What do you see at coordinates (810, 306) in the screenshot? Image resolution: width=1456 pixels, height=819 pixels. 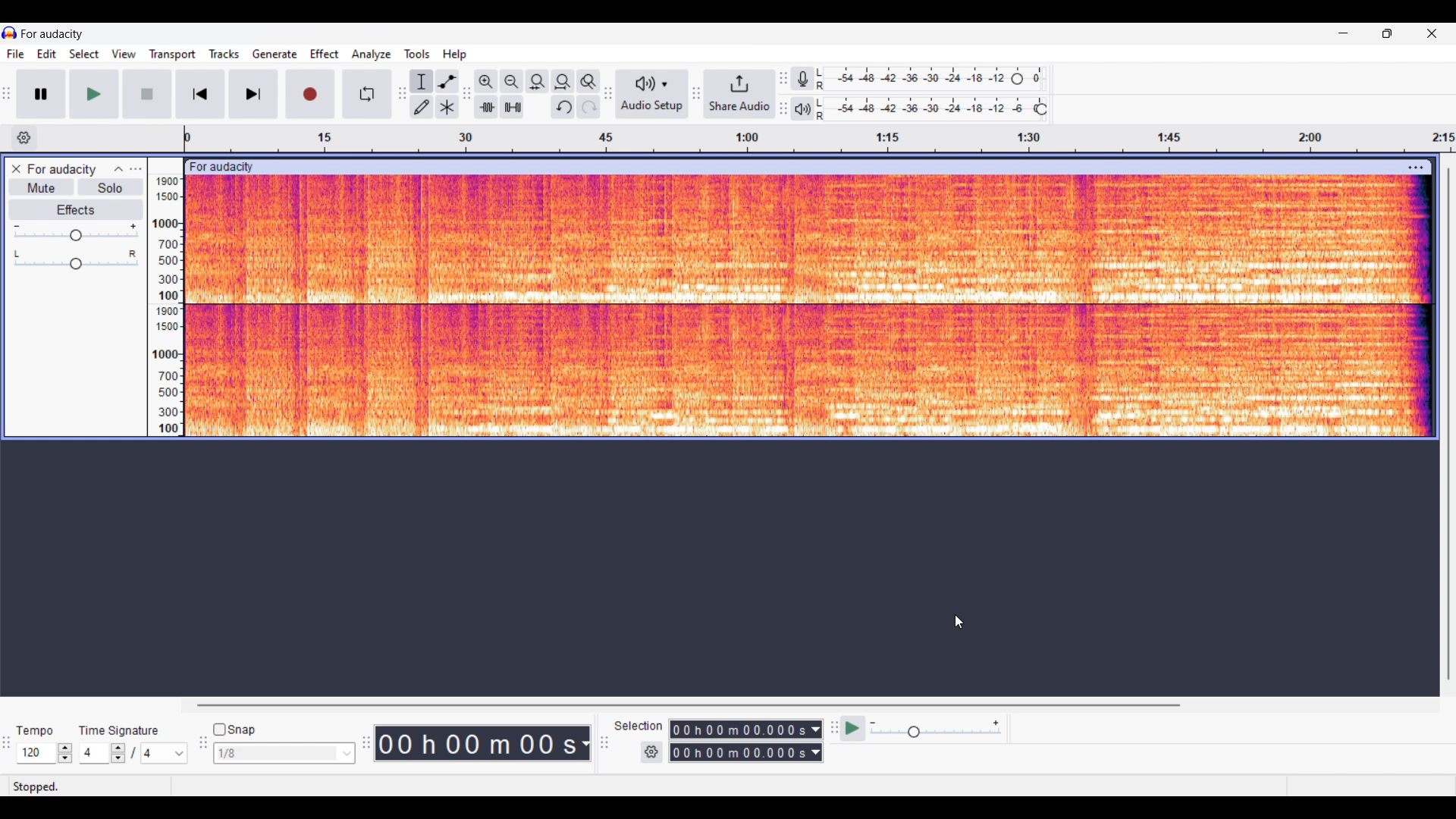 I see `Spectrogram view changed due to change in scale settings` at bounding box center [810, 306].